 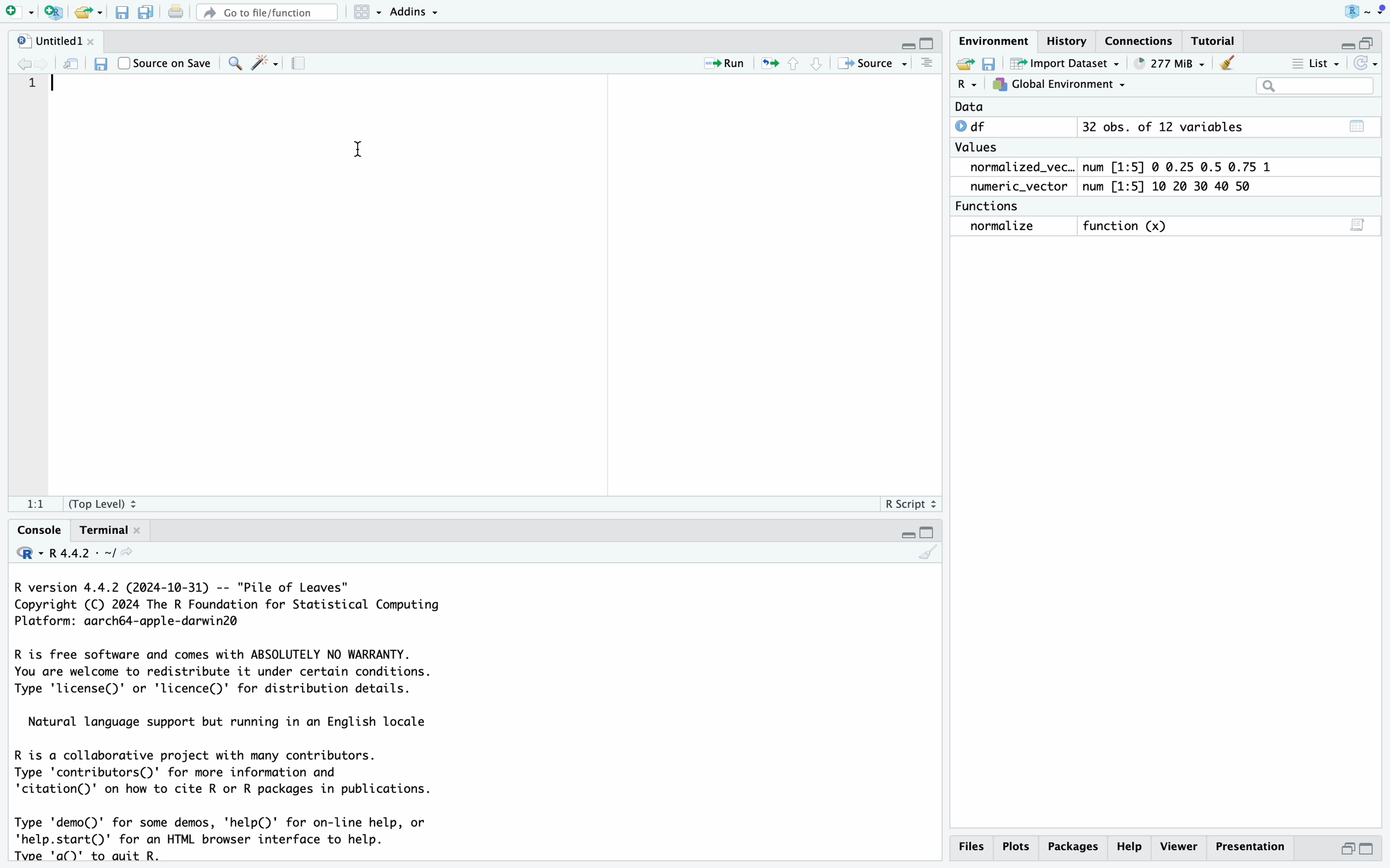 What do you see at coordinates (1368, 63) in the screenshot?
I see `REFRESH` at bounding box center [1368, 63].